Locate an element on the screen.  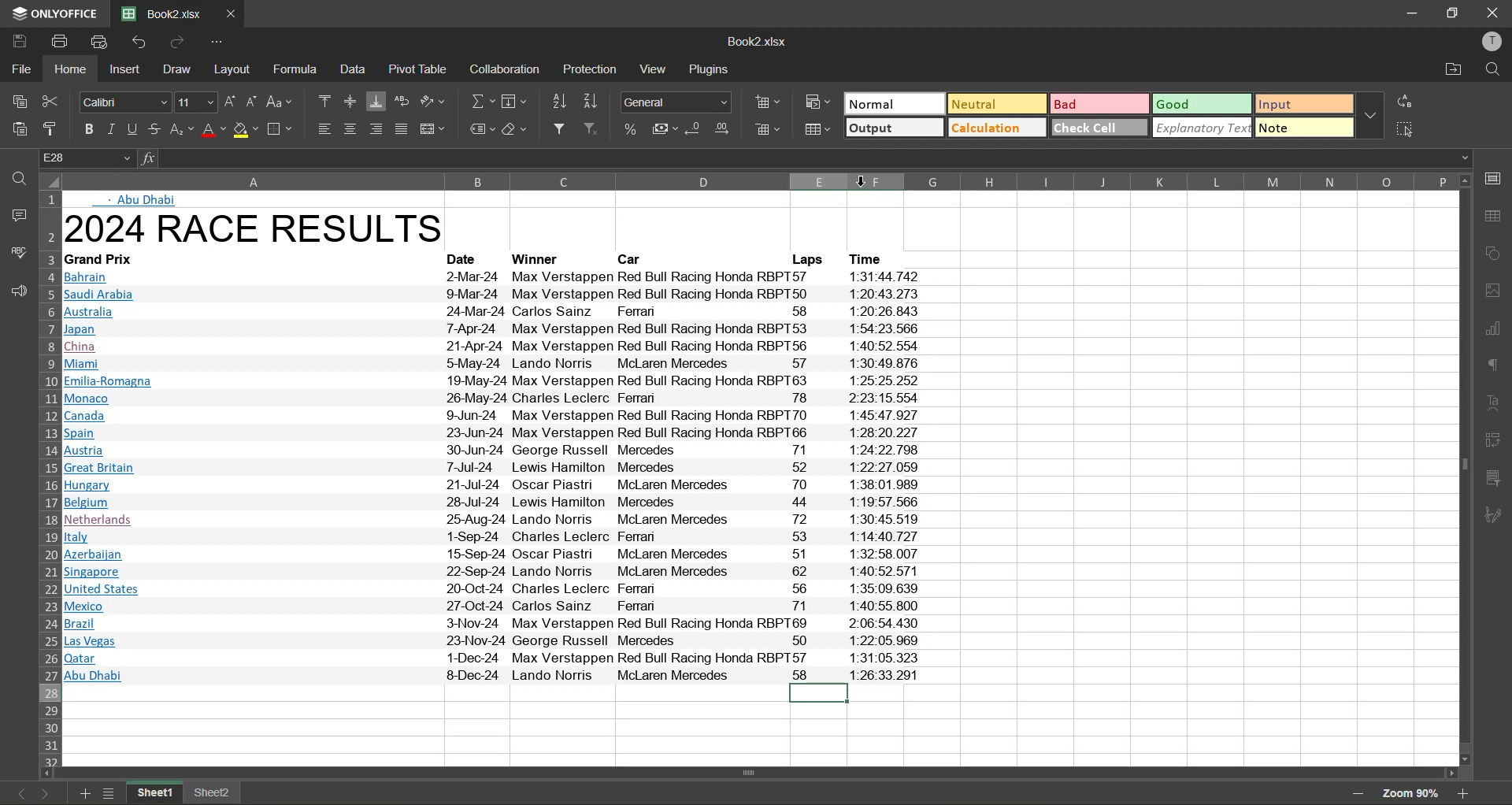
insert cells is located at coordinates (766, 102).